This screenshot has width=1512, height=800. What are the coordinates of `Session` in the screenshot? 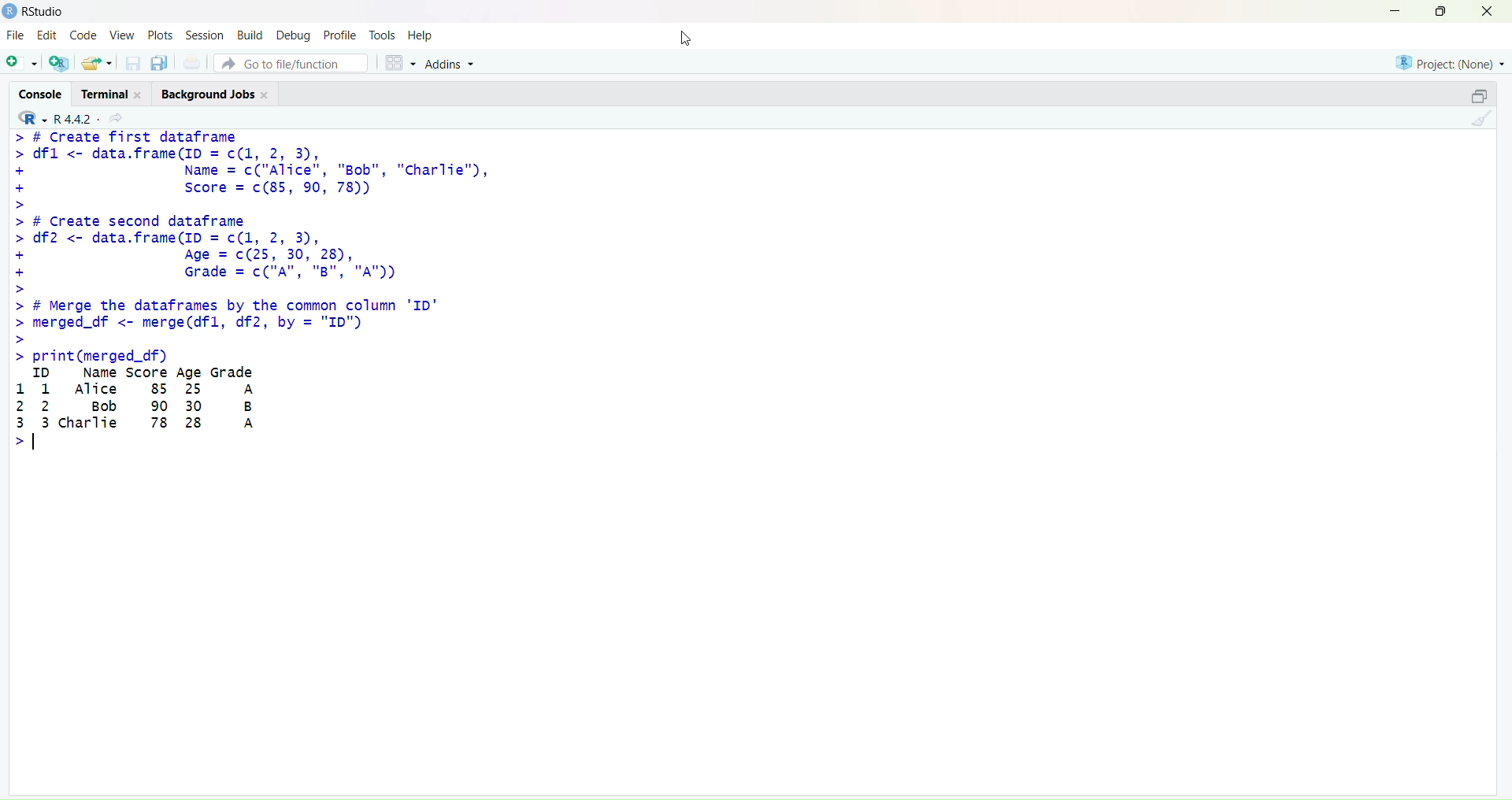 It's located at (206, 35).